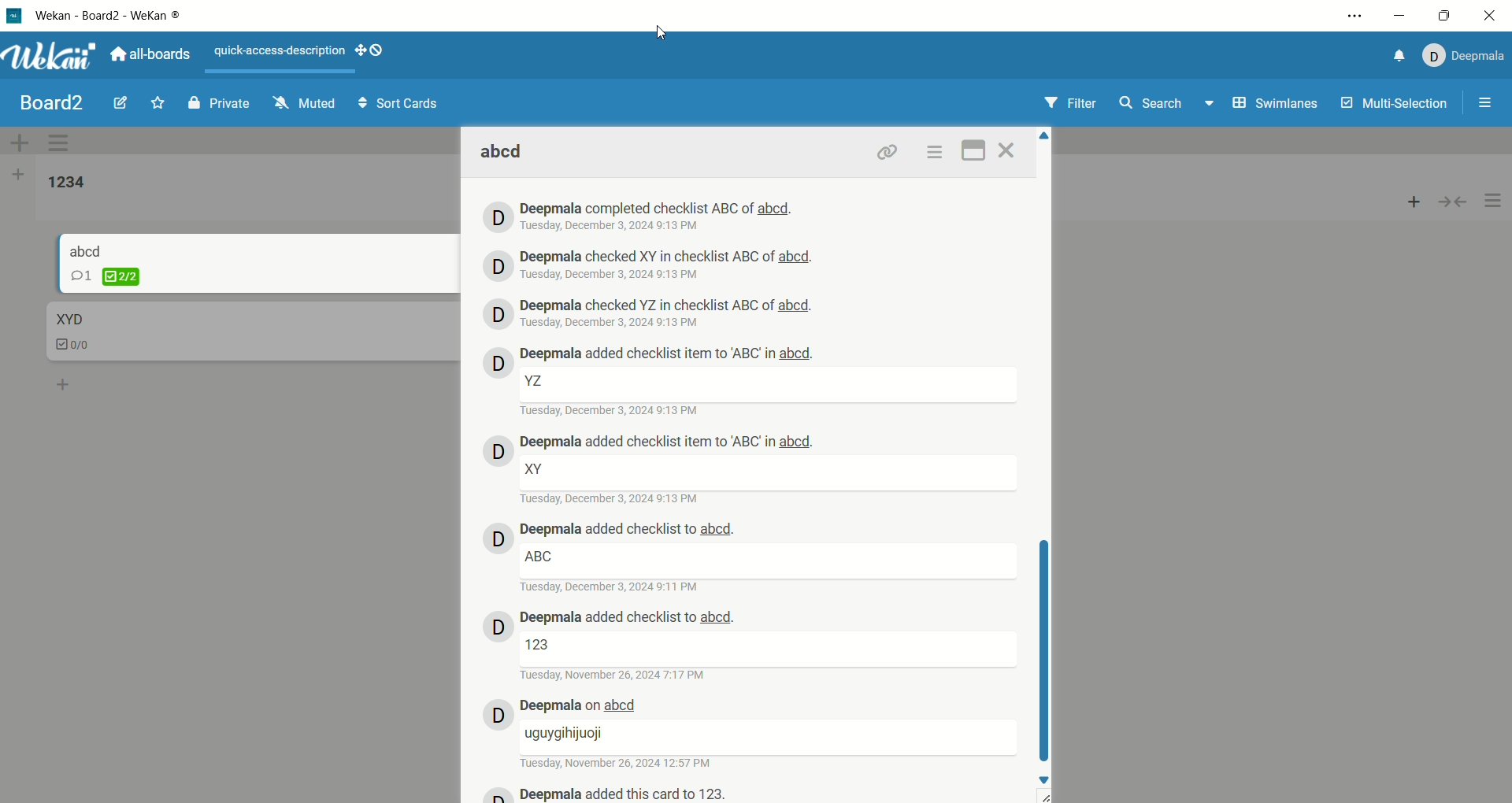 The image size is (1512, 803). What do you see at coordinates (535, 468) in the screenshot?
I see `text` at bounding box center [535, 468].